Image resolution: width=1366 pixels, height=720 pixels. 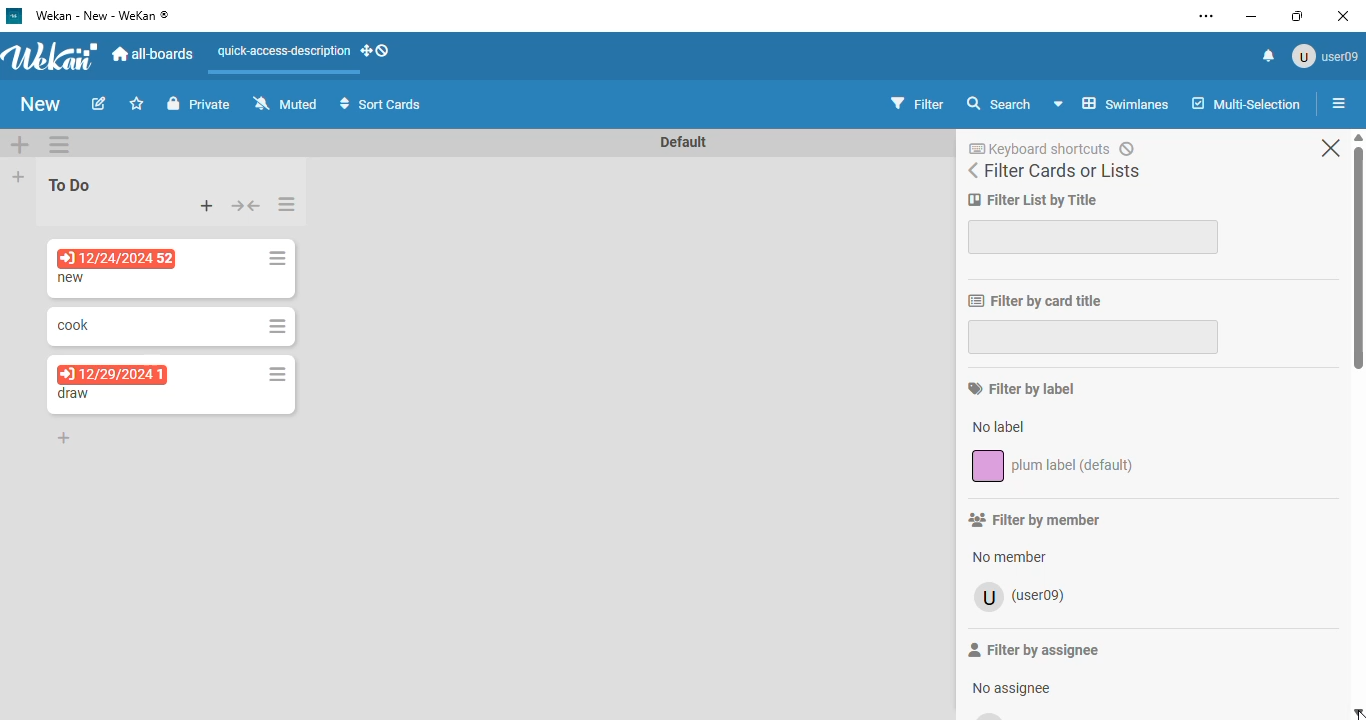 I want to click on quick-access-description, so click(x=283, y=51).